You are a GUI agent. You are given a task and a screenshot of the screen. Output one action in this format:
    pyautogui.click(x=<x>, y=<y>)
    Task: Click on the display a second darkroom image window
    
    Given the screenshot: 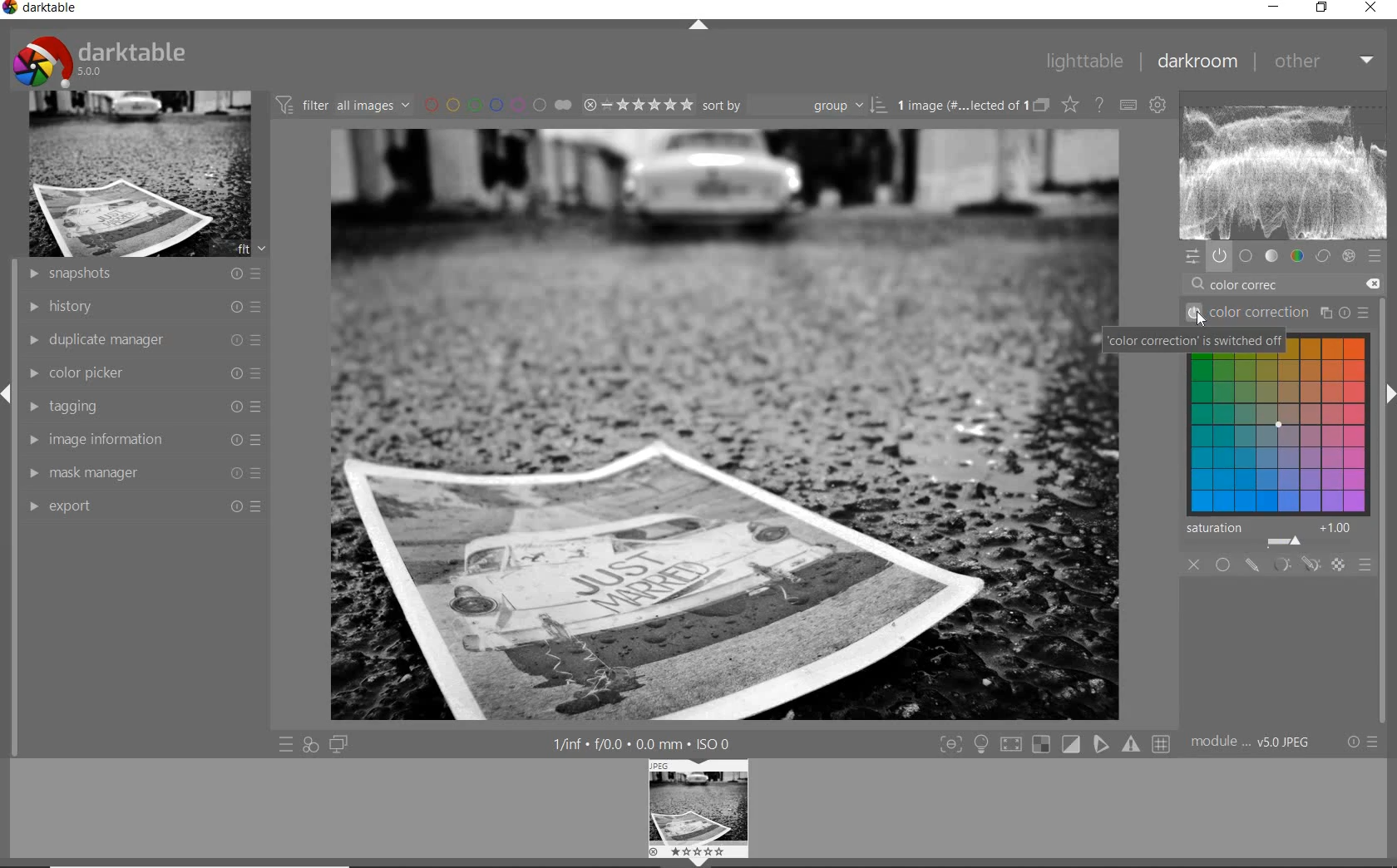 What is the action you would take?
    pyautogui.click(x=338, y=744)
    